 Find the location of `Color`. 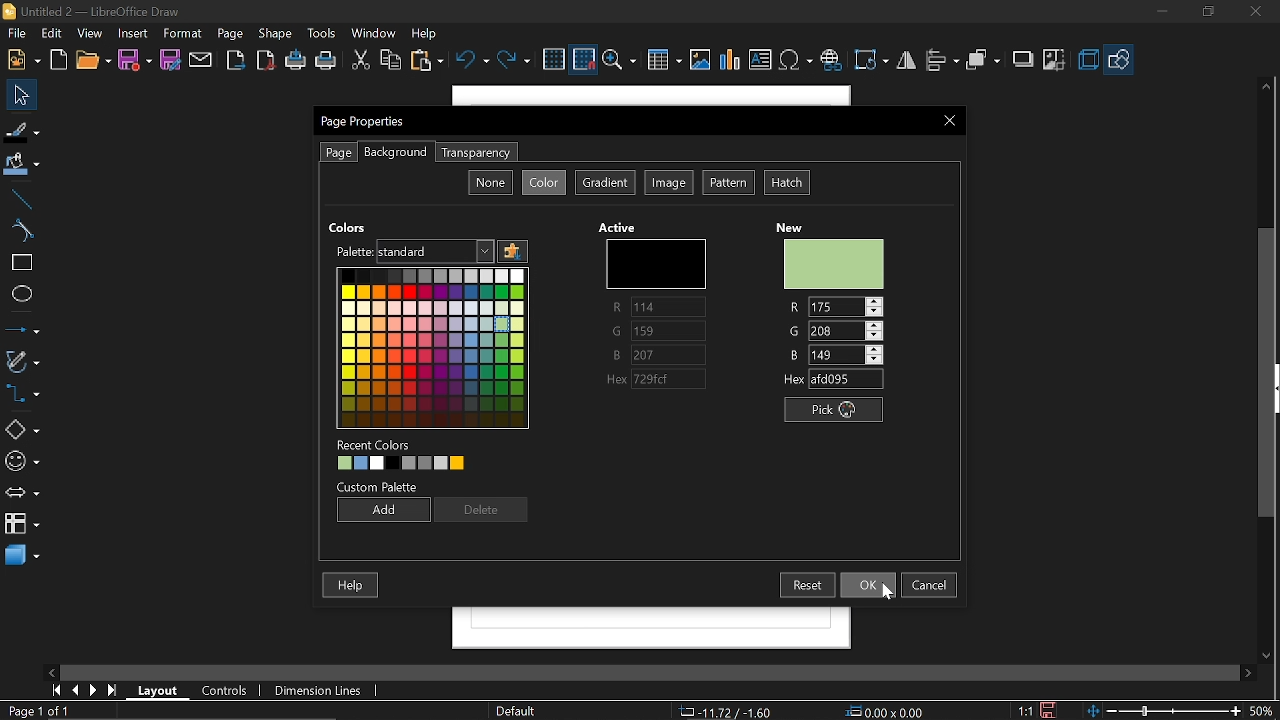

Color is located at coordinates (545, 182).